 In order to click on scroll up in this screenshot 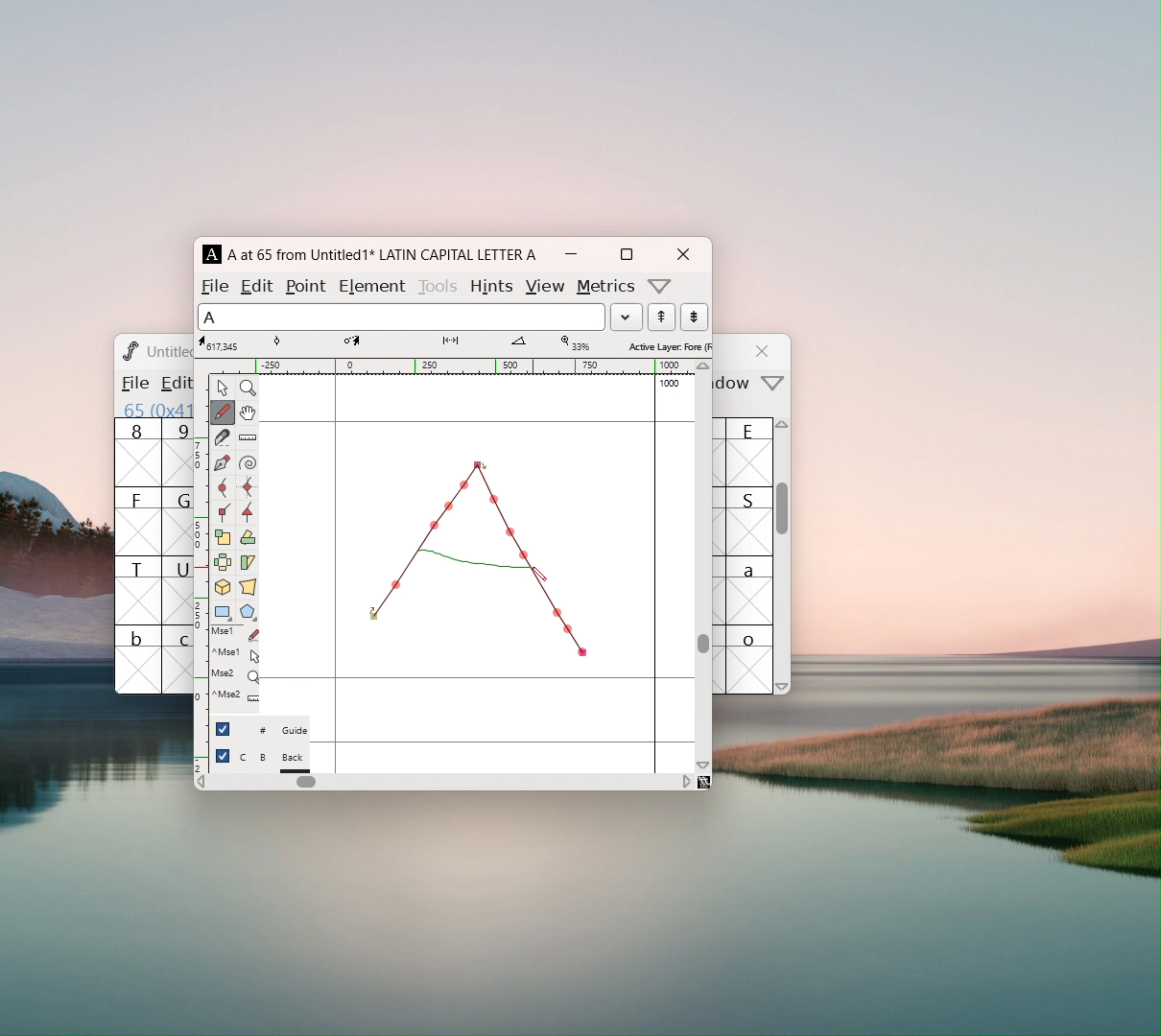, I will do `click(784, 429)`.